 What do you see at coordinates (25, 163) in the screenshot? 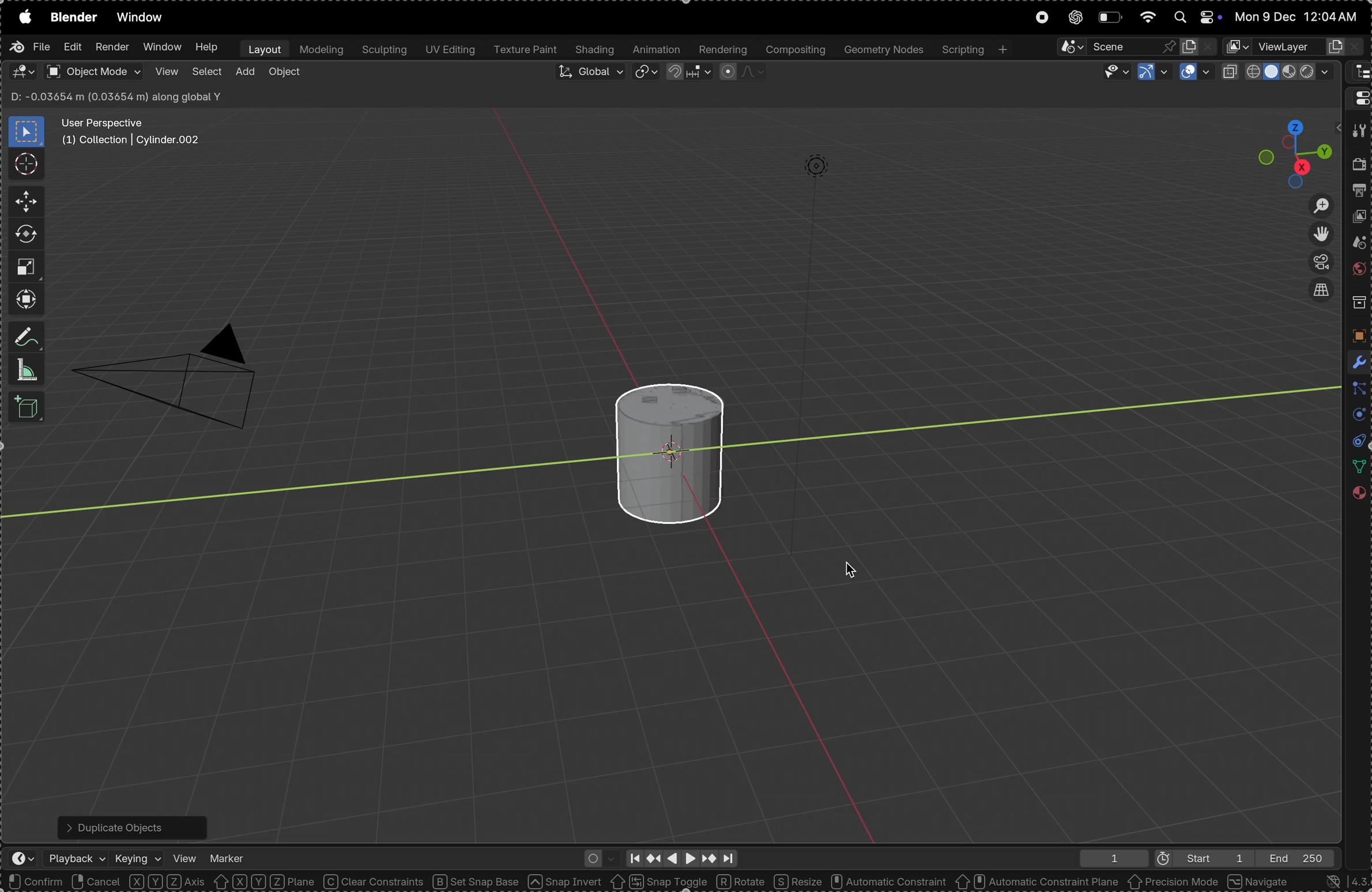
I see `cursor` at bounding box center [25, 163].